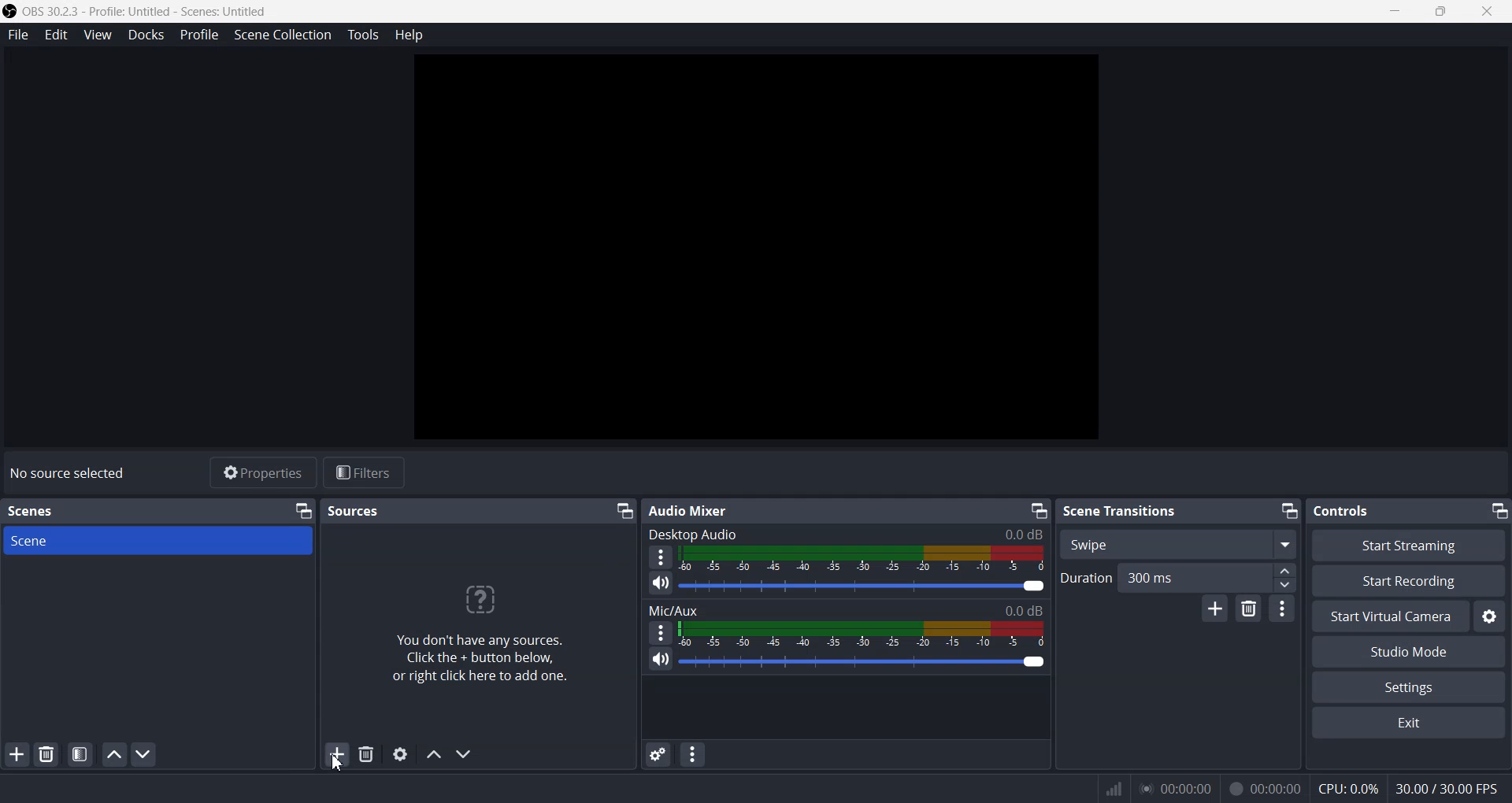 This screenshot has width=1512, height=803. What do you see at coordinates (19, 34) in the screenshot?
I see `File` at bounding box center [19, 34].